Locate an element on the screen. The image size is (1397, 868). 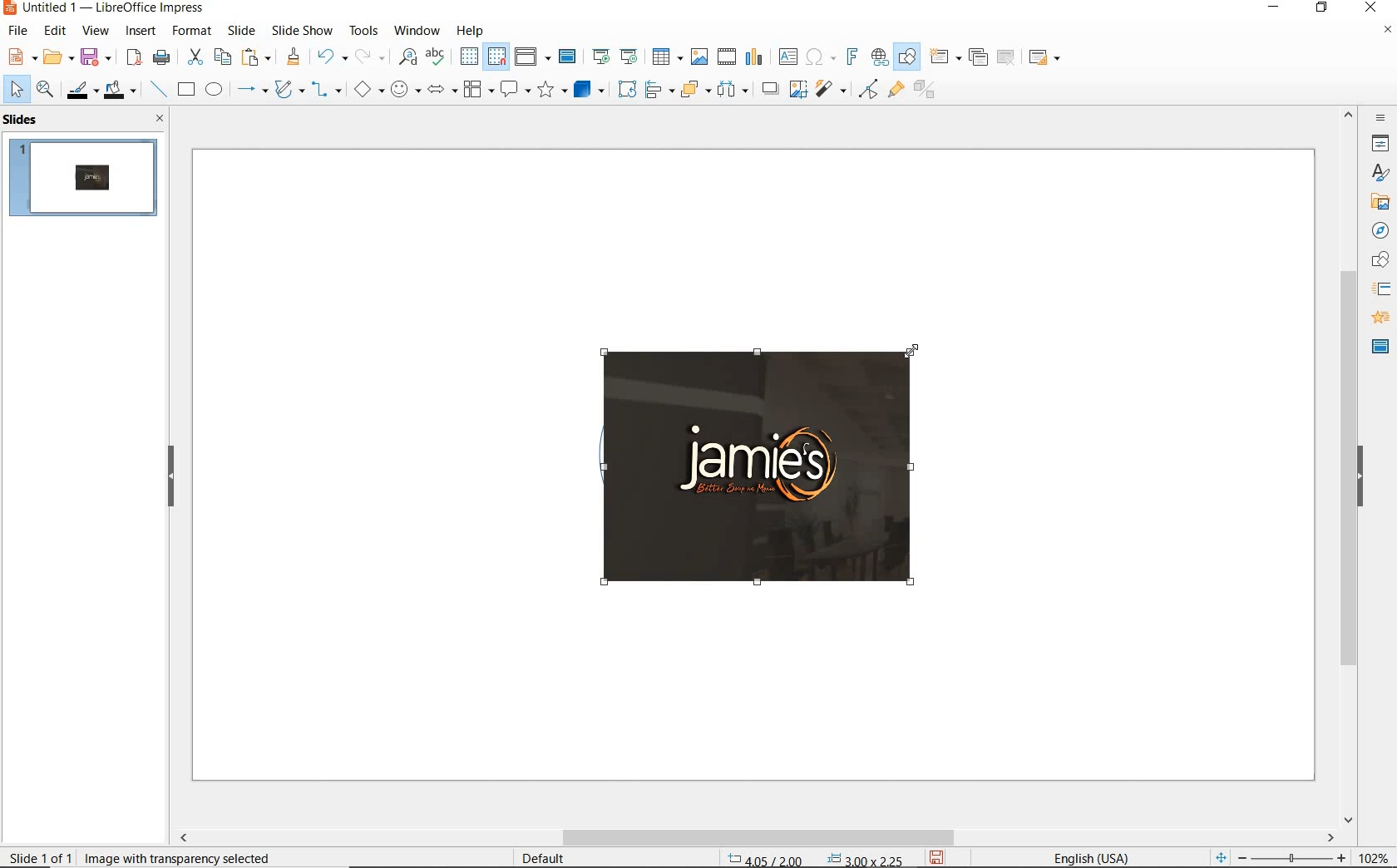
display/snap grid is located at coordinates (481, 57).